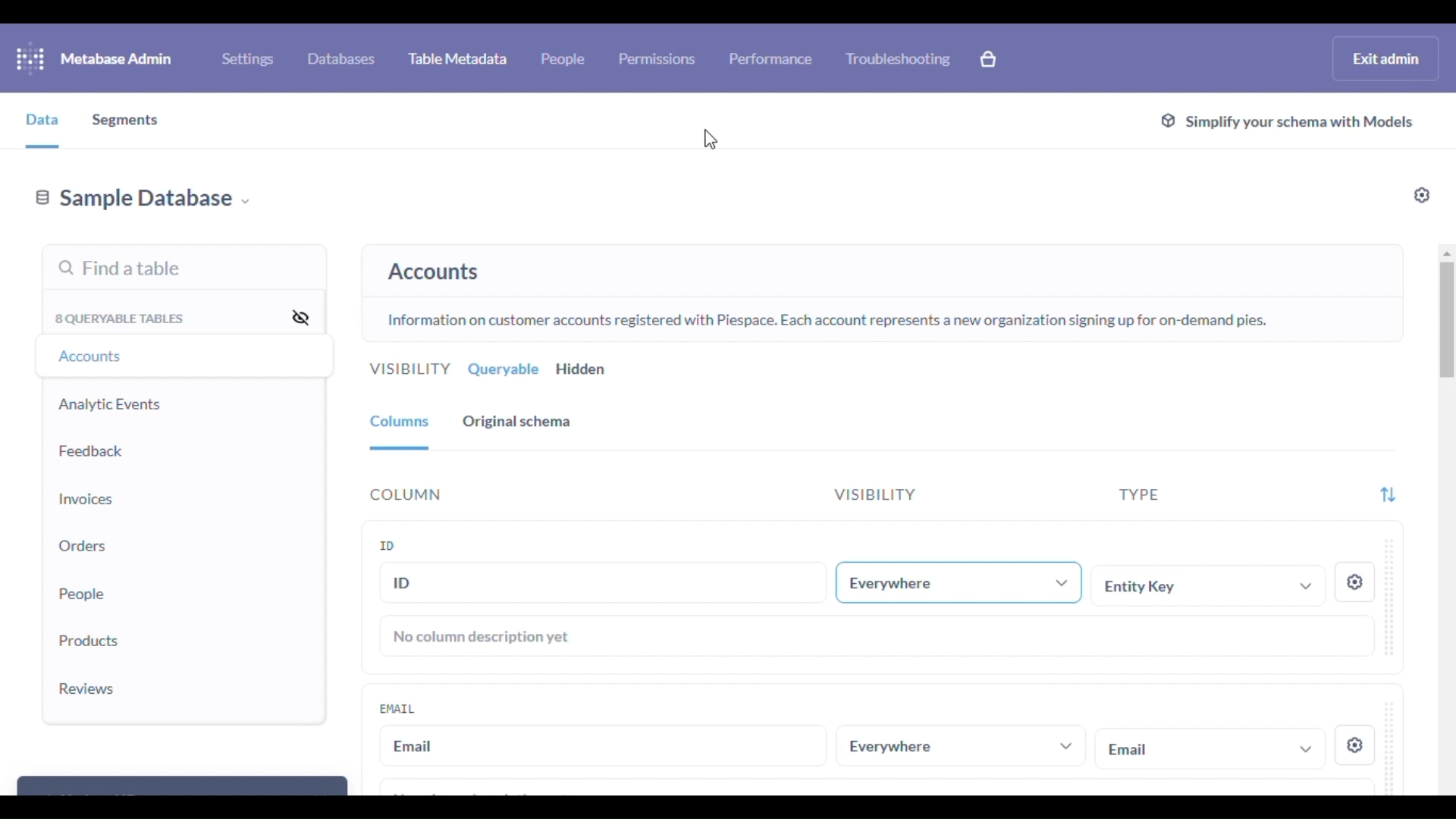 The height and width of the screenshot is (819, 1456). I want to click on permissions, so click(658, 58).